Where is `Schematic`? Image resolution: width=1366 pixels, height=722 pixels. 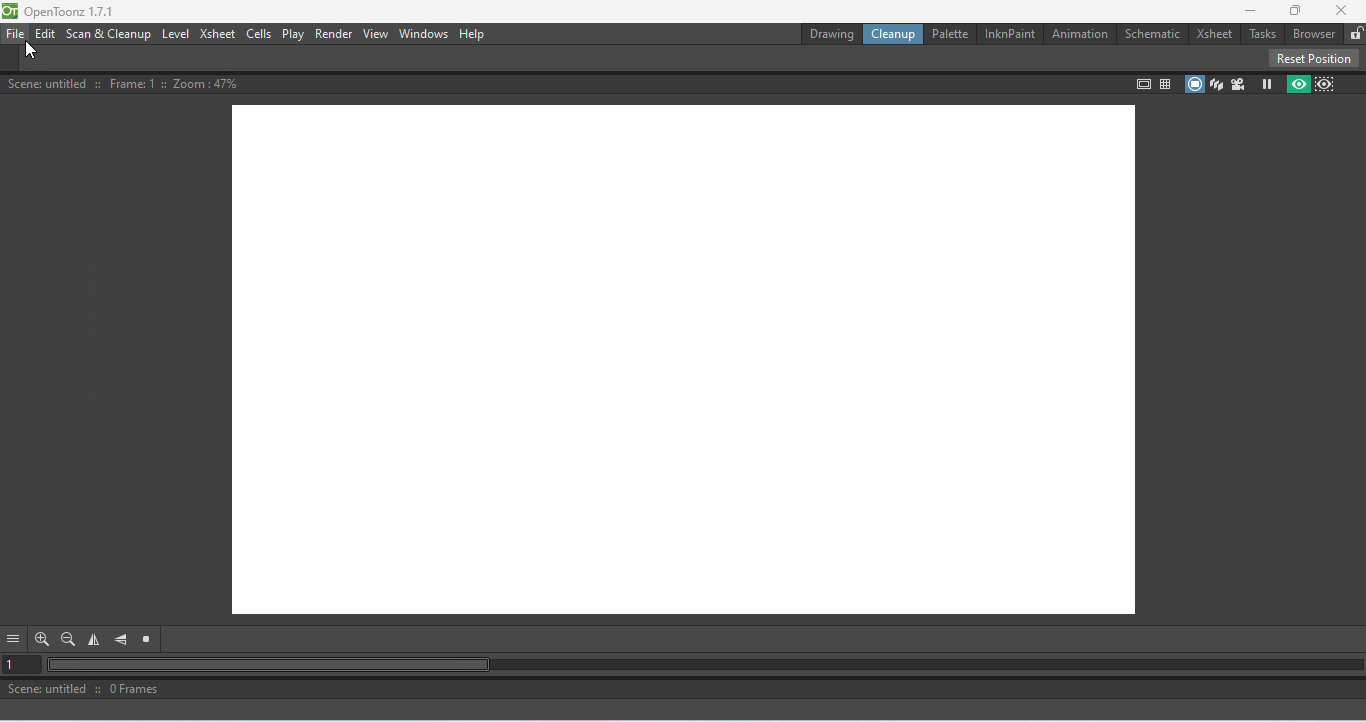
Schematic is located at coordinates (1150, 33).